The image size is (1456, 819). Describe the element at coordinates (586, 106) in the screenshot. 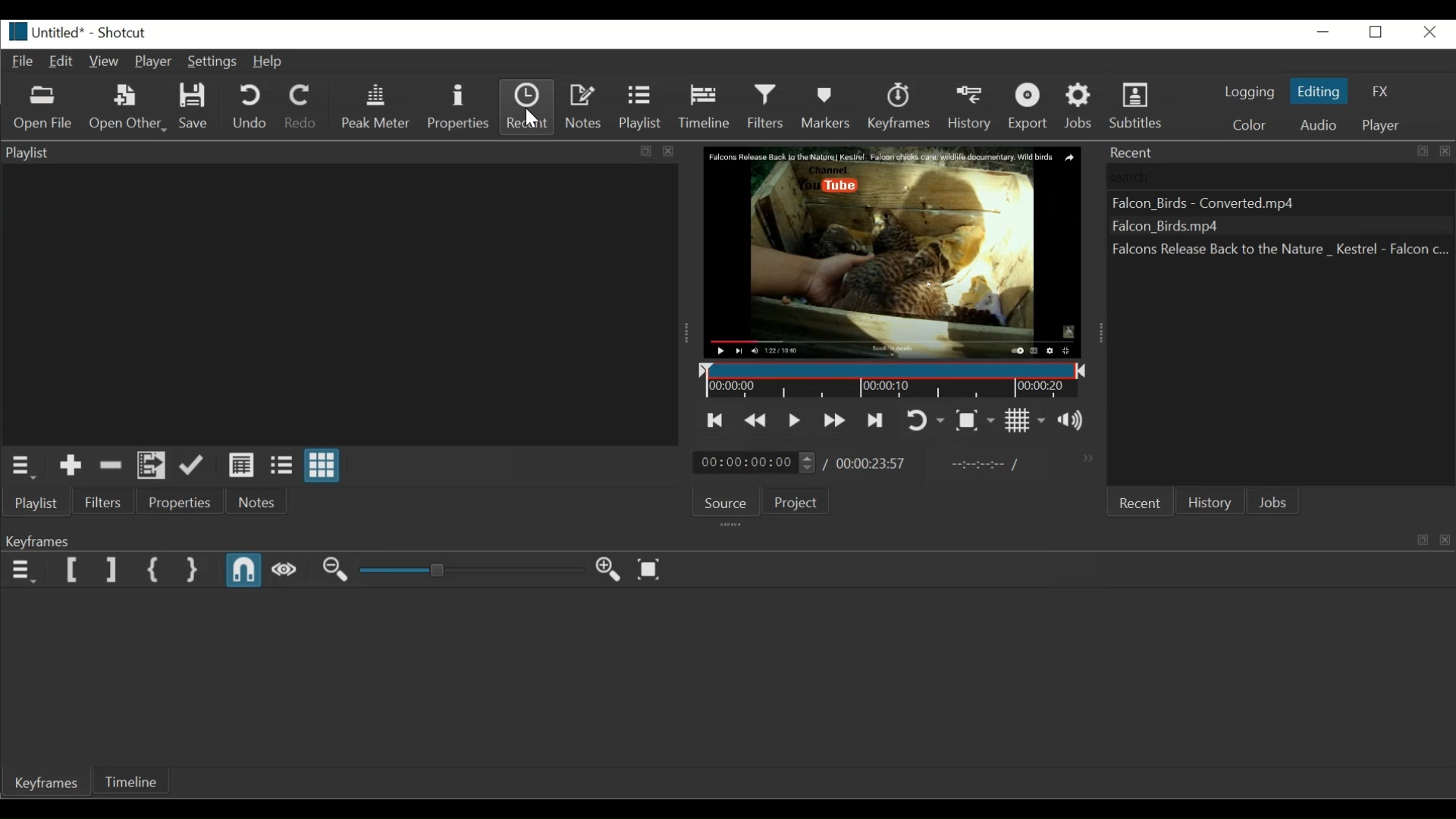

I see `Notes` at that location.